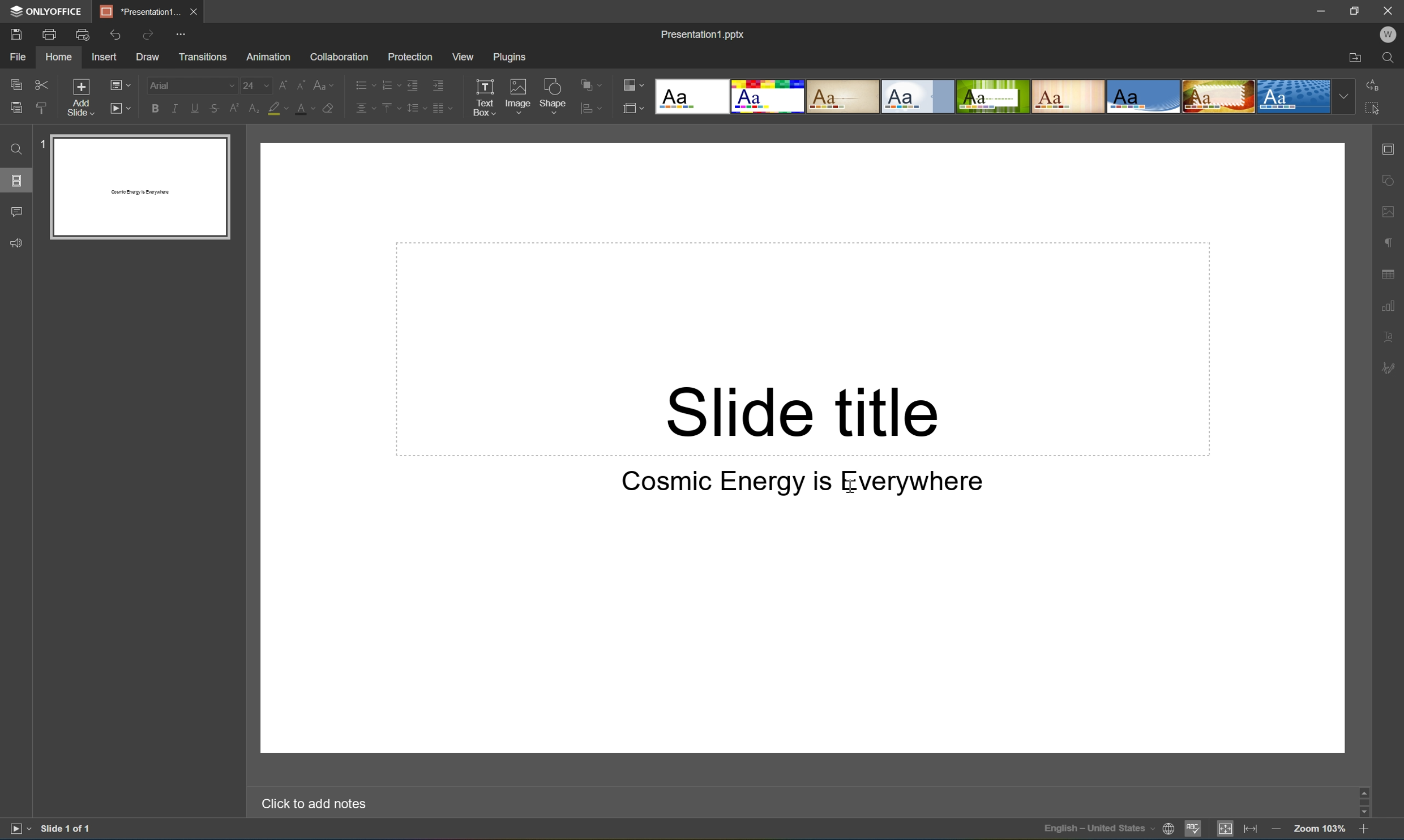 The image size is (1404, 840). What do you see at coordinates (255, 107) in the screenshot?
I see `Subscript` at bounding box center [255, 107].